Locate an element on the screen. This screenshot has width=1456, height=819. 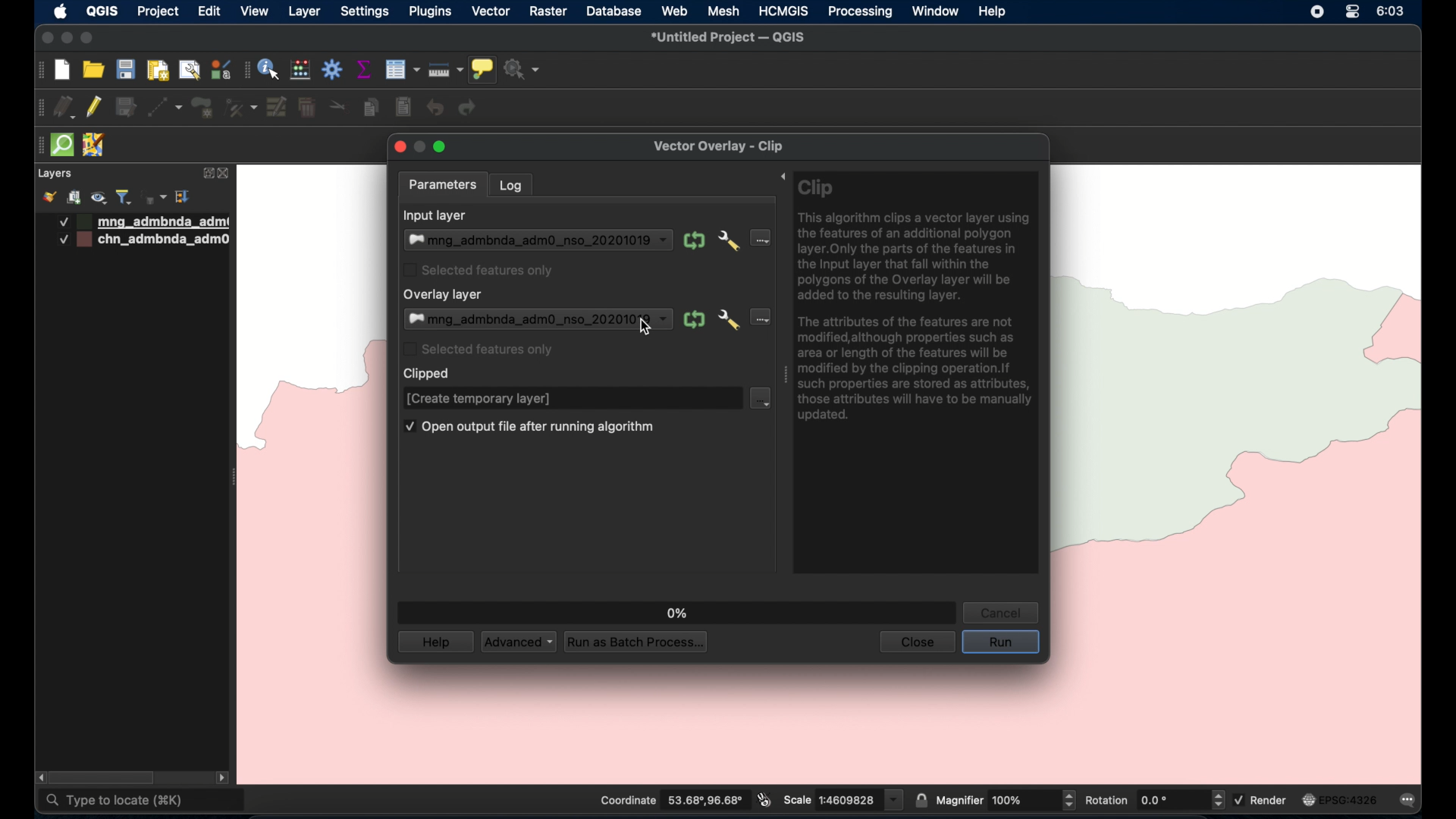
edit is located at coordinates (209, 11).